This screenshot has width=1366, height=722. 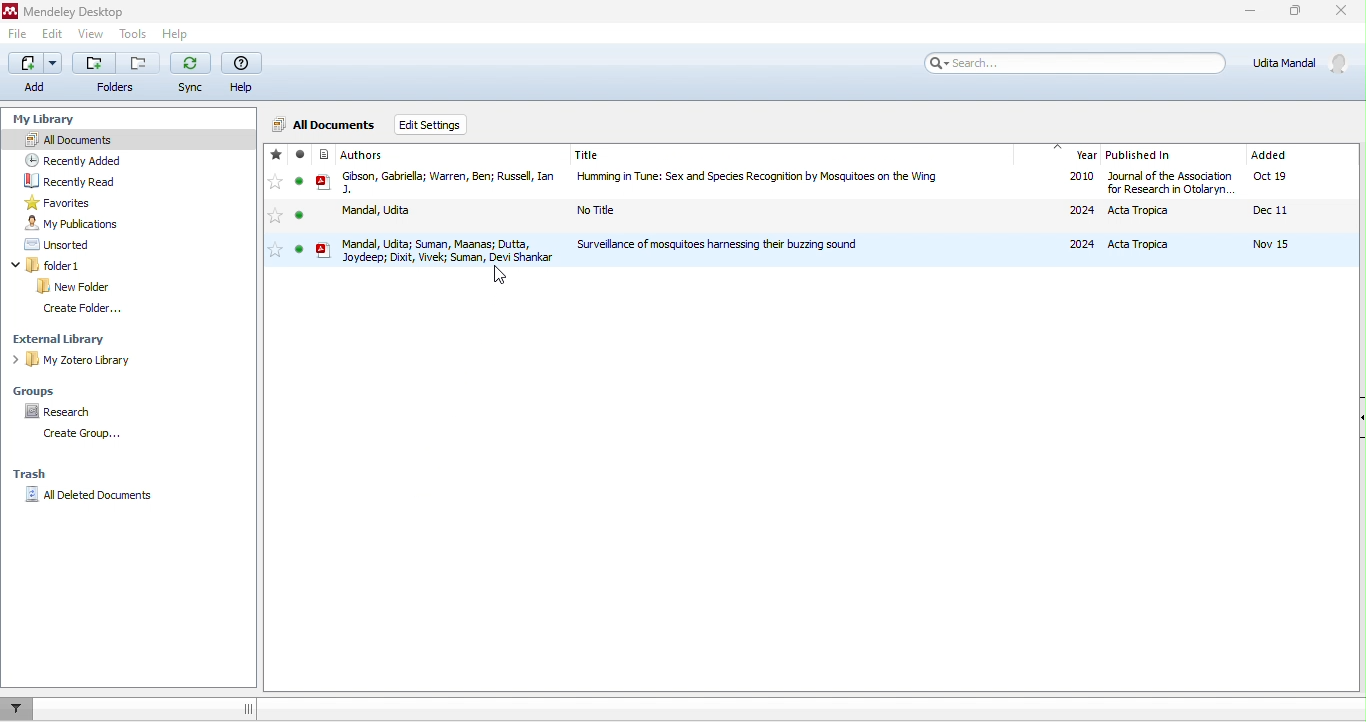 I want to click on create folder, so click(x=85, y=311).